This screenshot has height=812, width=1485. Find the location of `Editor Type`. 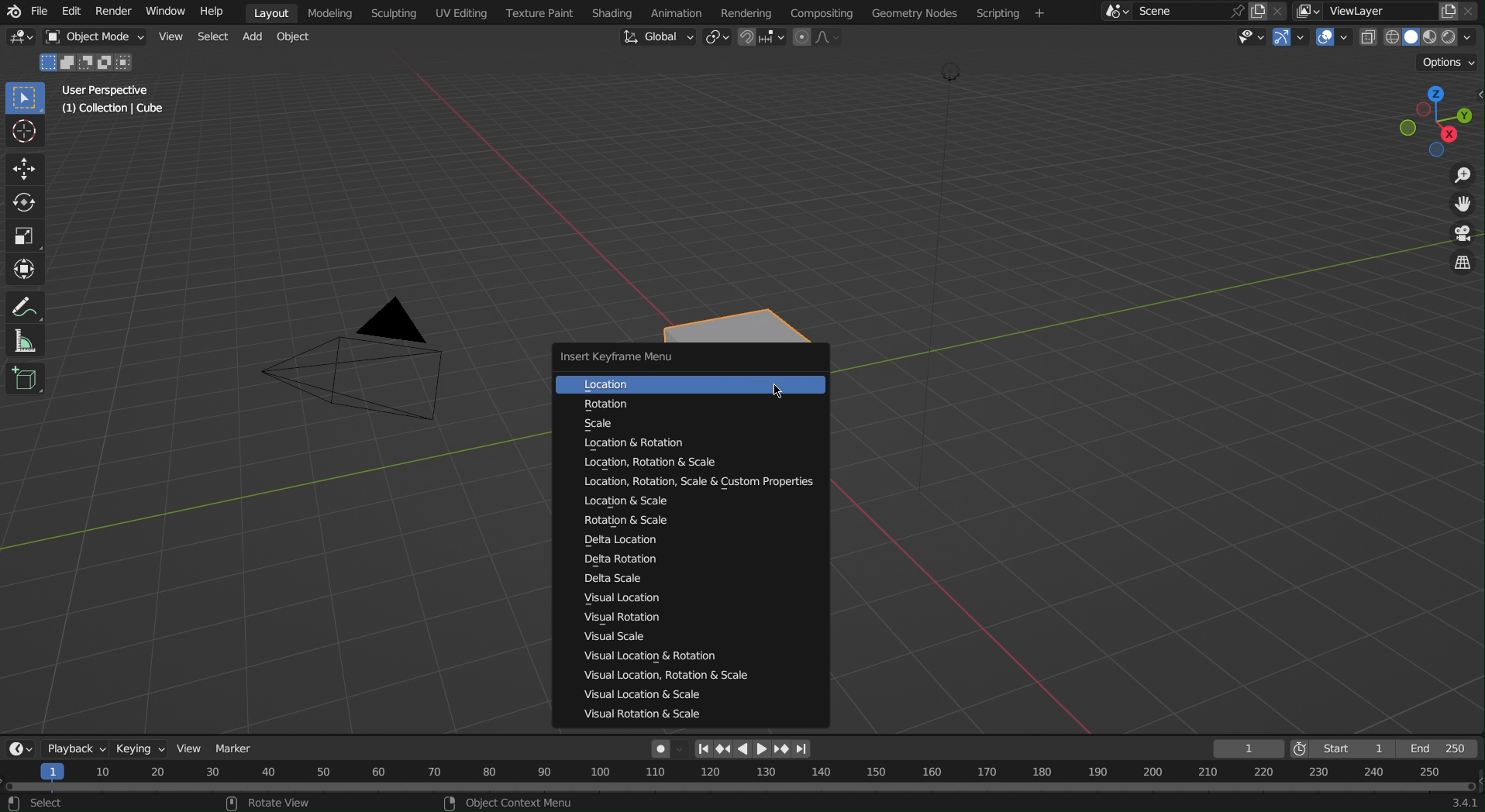

Editor Type is located at coordinates (20, 749).